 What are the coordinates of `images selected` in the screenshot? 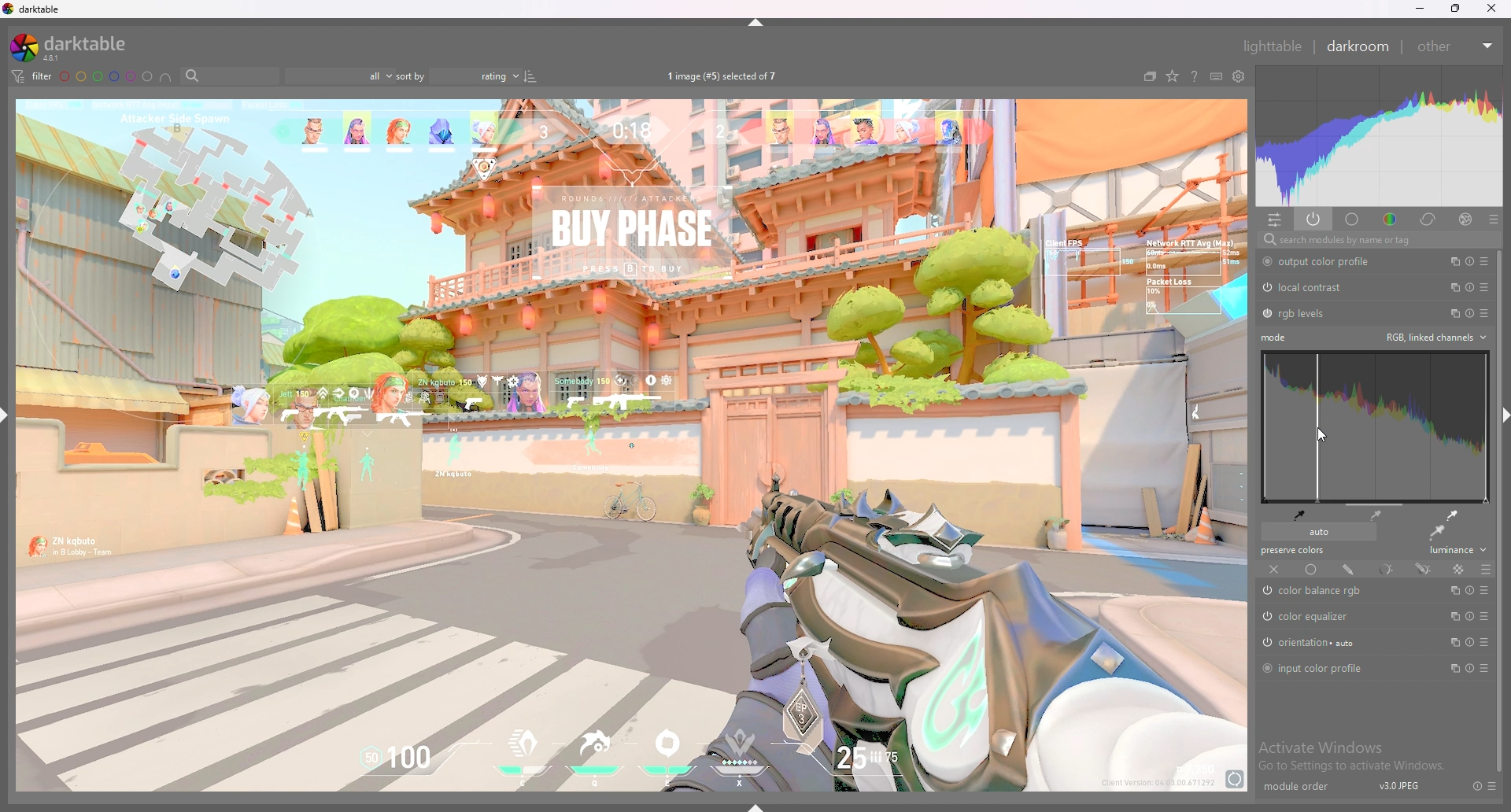 It's located at (722, 76).